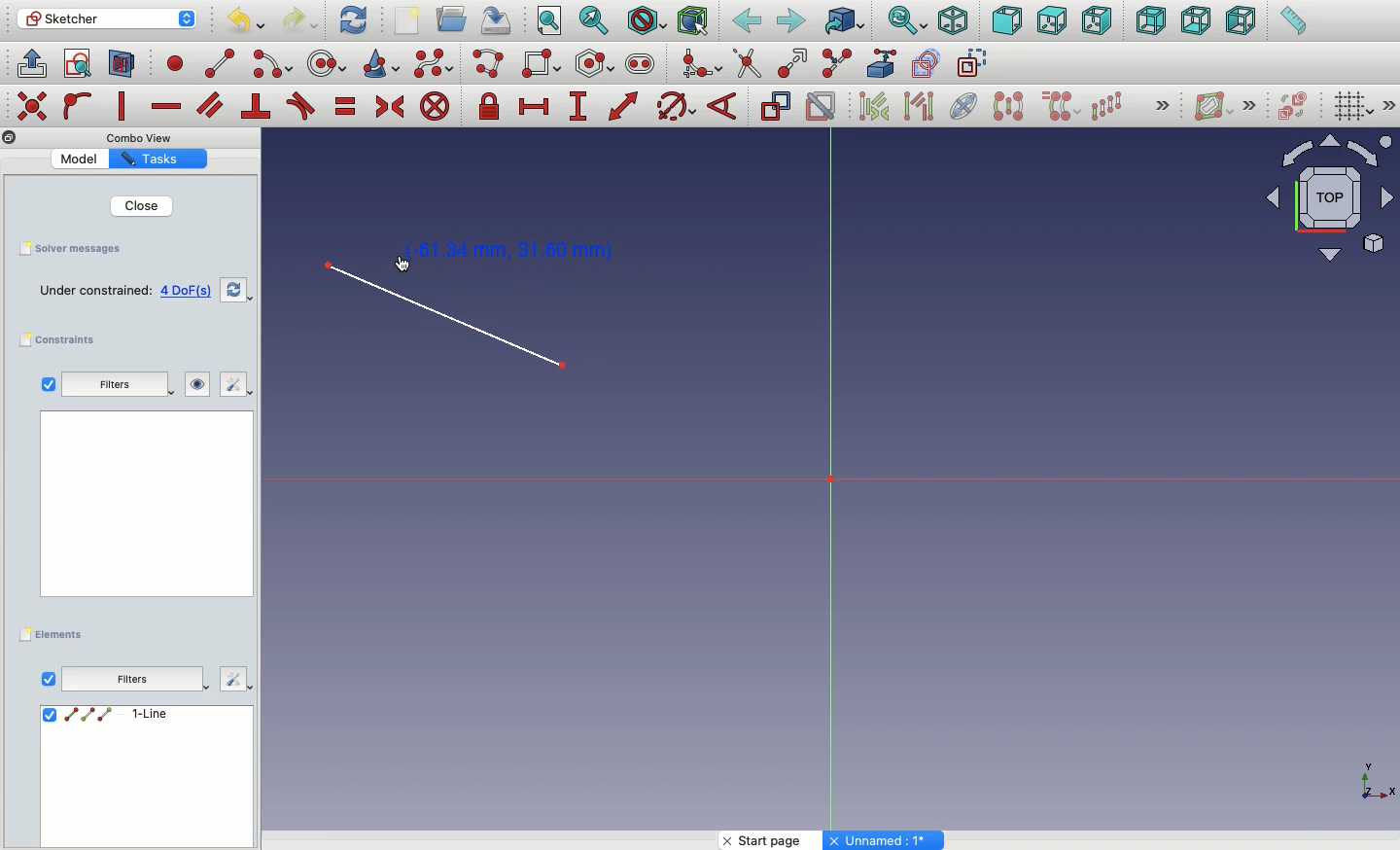 This screenshot has height=850, width=1400. I want to click on carbon copy, so click(929, 64).